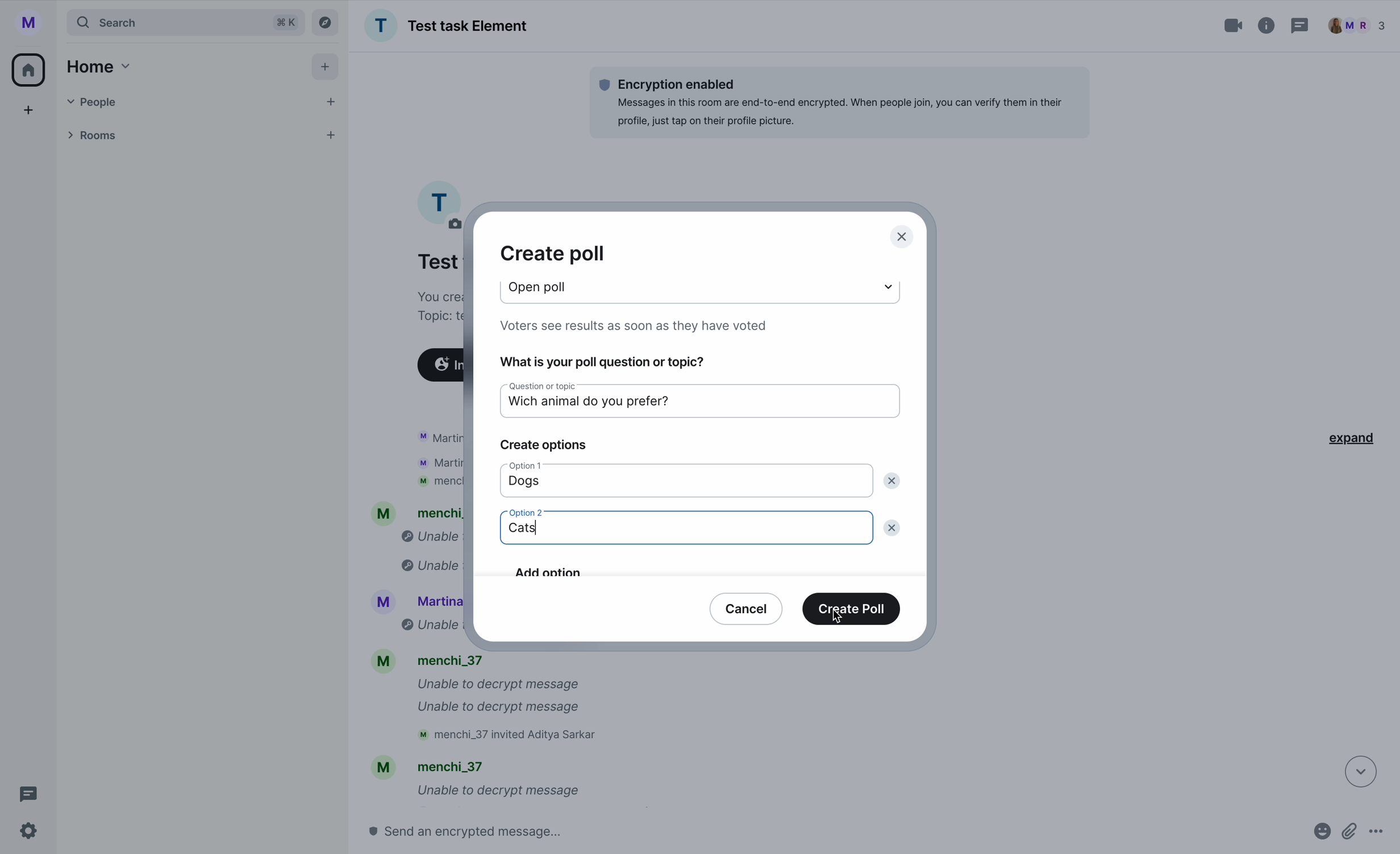  I want to click on what is your poll question or topic?, so click(601, 364).